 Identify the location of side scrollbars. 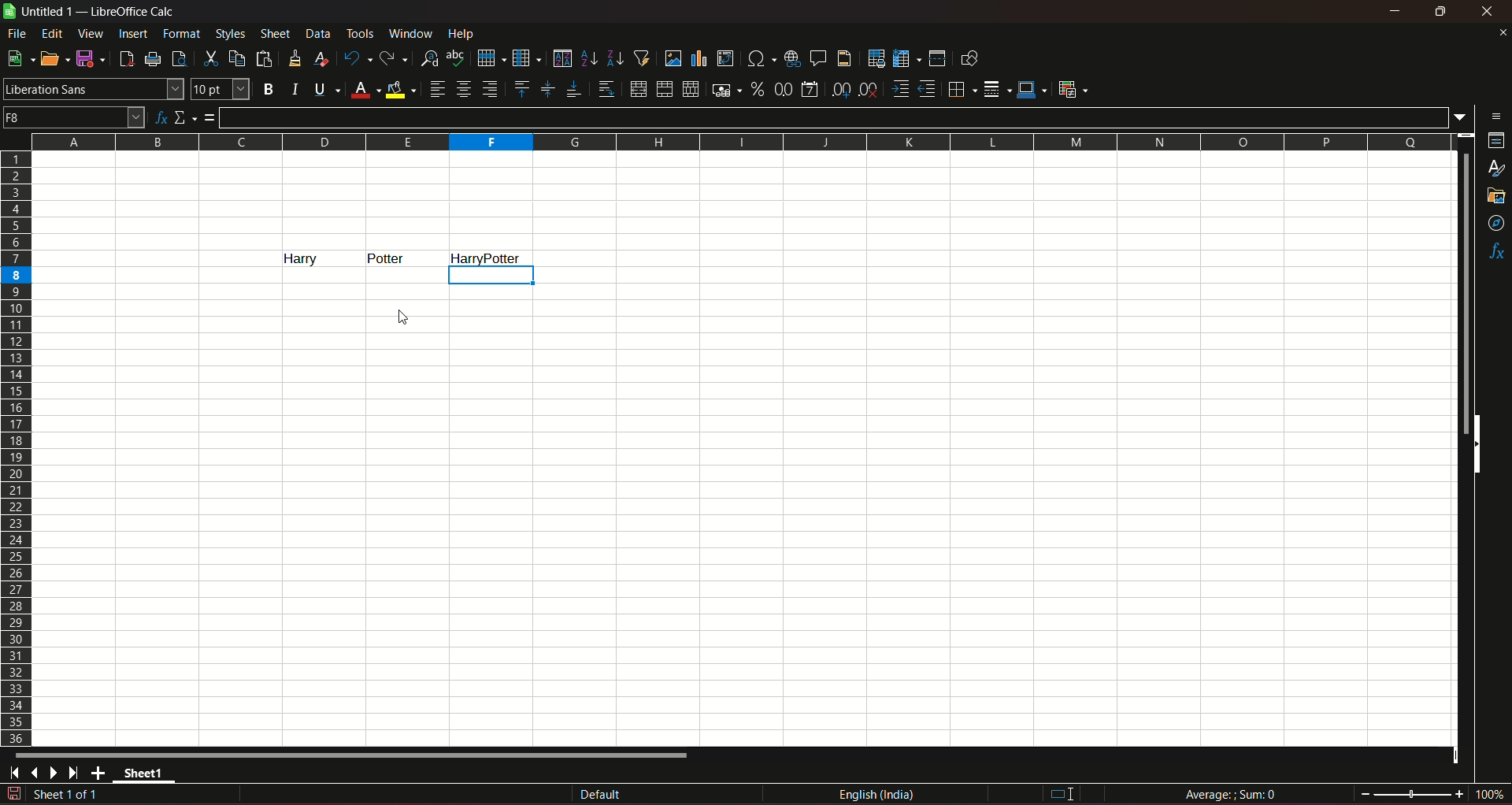
(1477, 444).